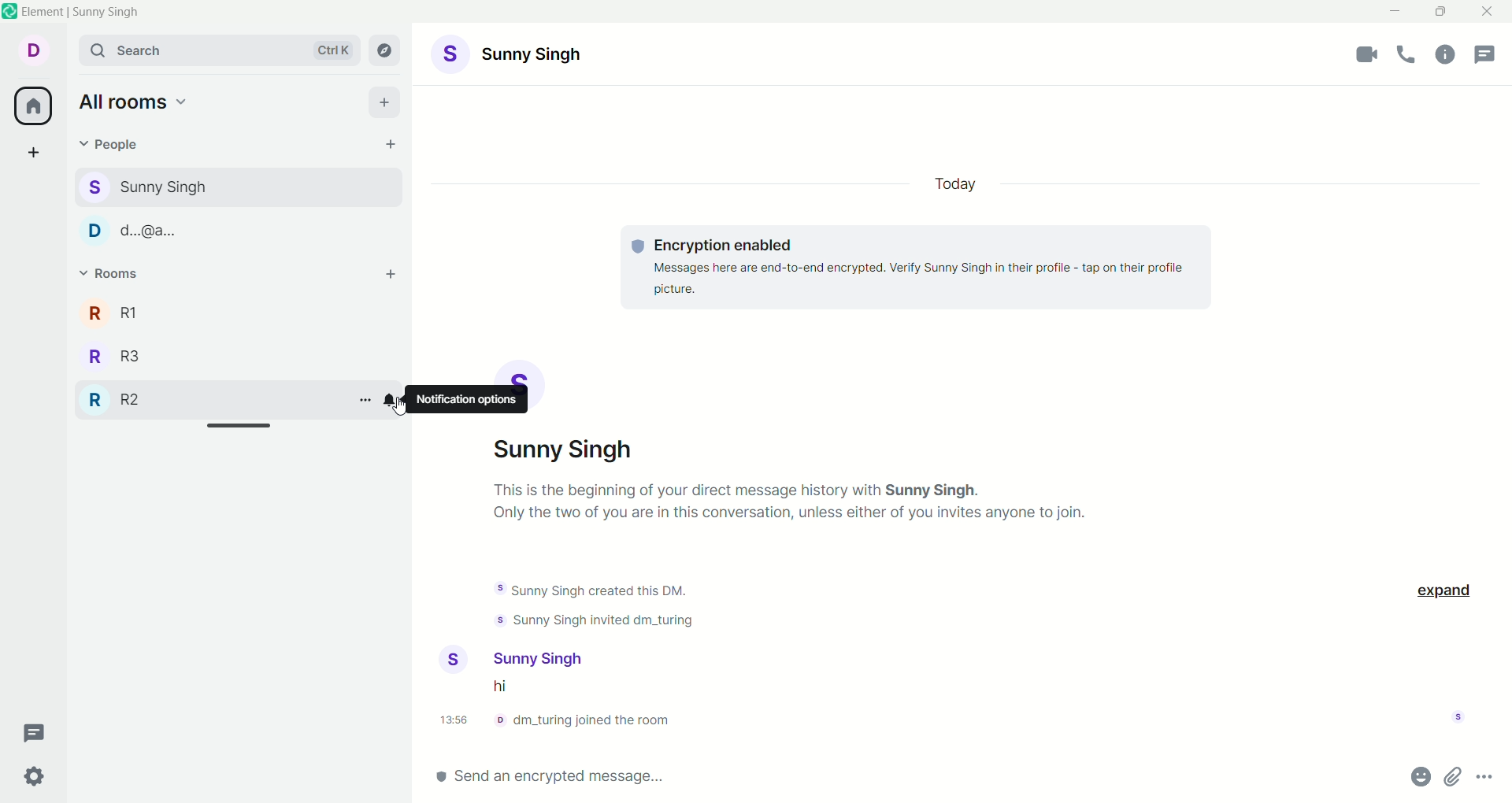  Describe the element at coordinates (918, 270) in the screenshot. I see `text` at that location.